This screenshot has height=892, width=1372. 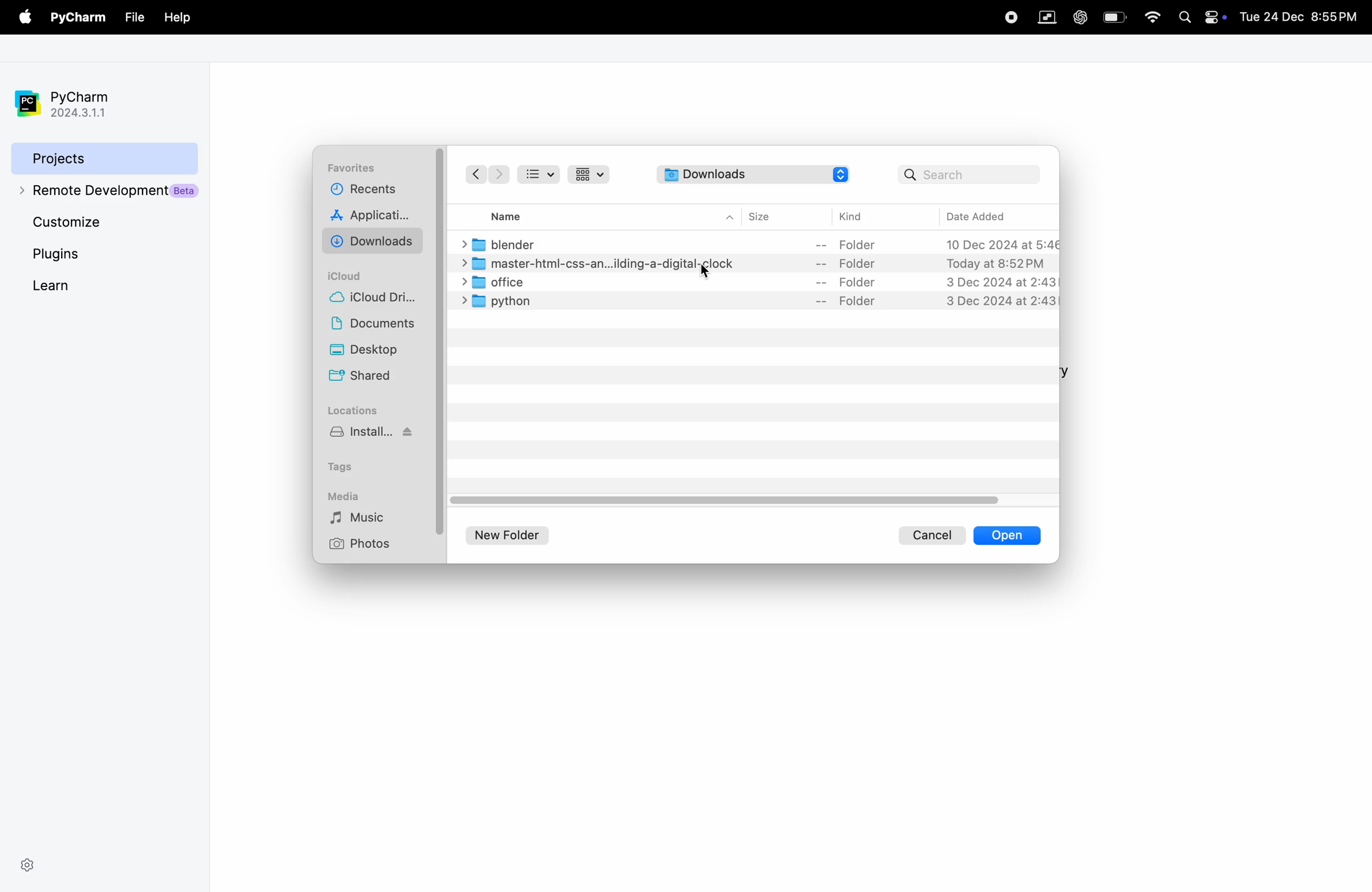 I want to click on media, so click(x=346, y=495).